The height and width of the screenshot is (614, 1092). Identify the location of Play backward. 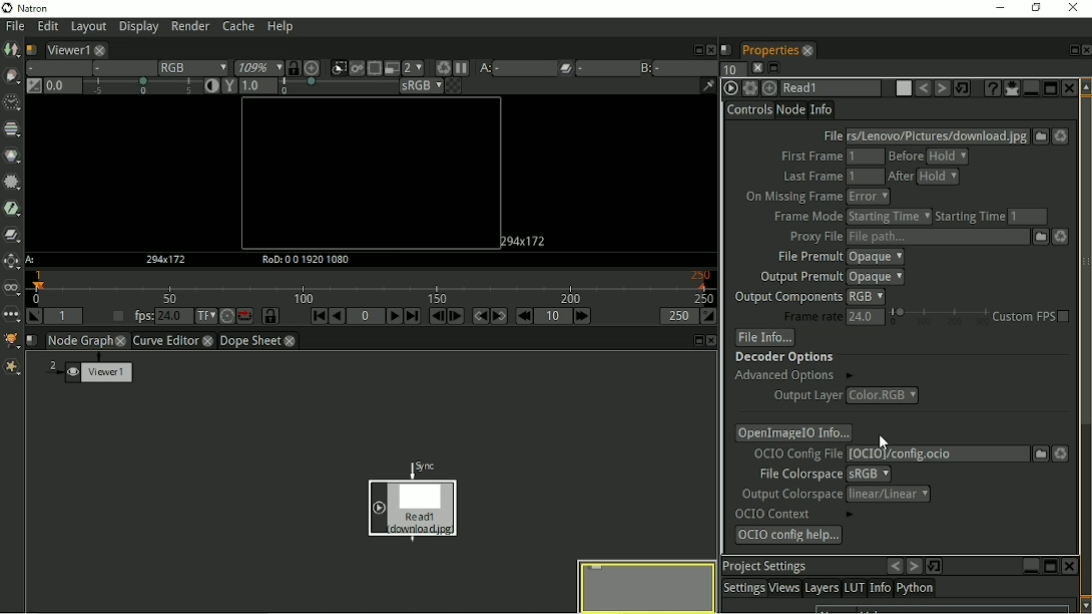
(335, 316).